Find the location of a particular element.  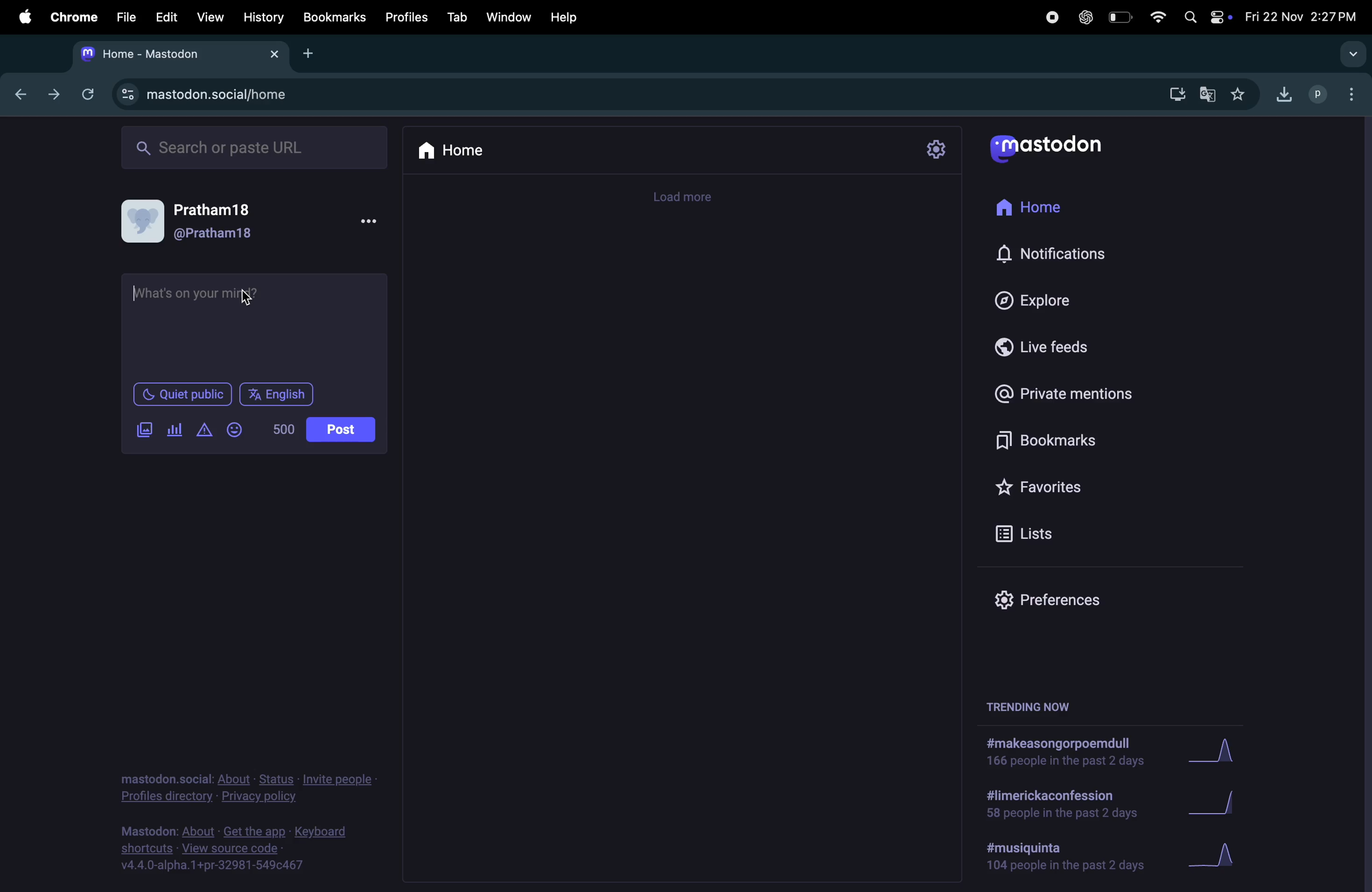

tab is located at coordinates (457, 16).